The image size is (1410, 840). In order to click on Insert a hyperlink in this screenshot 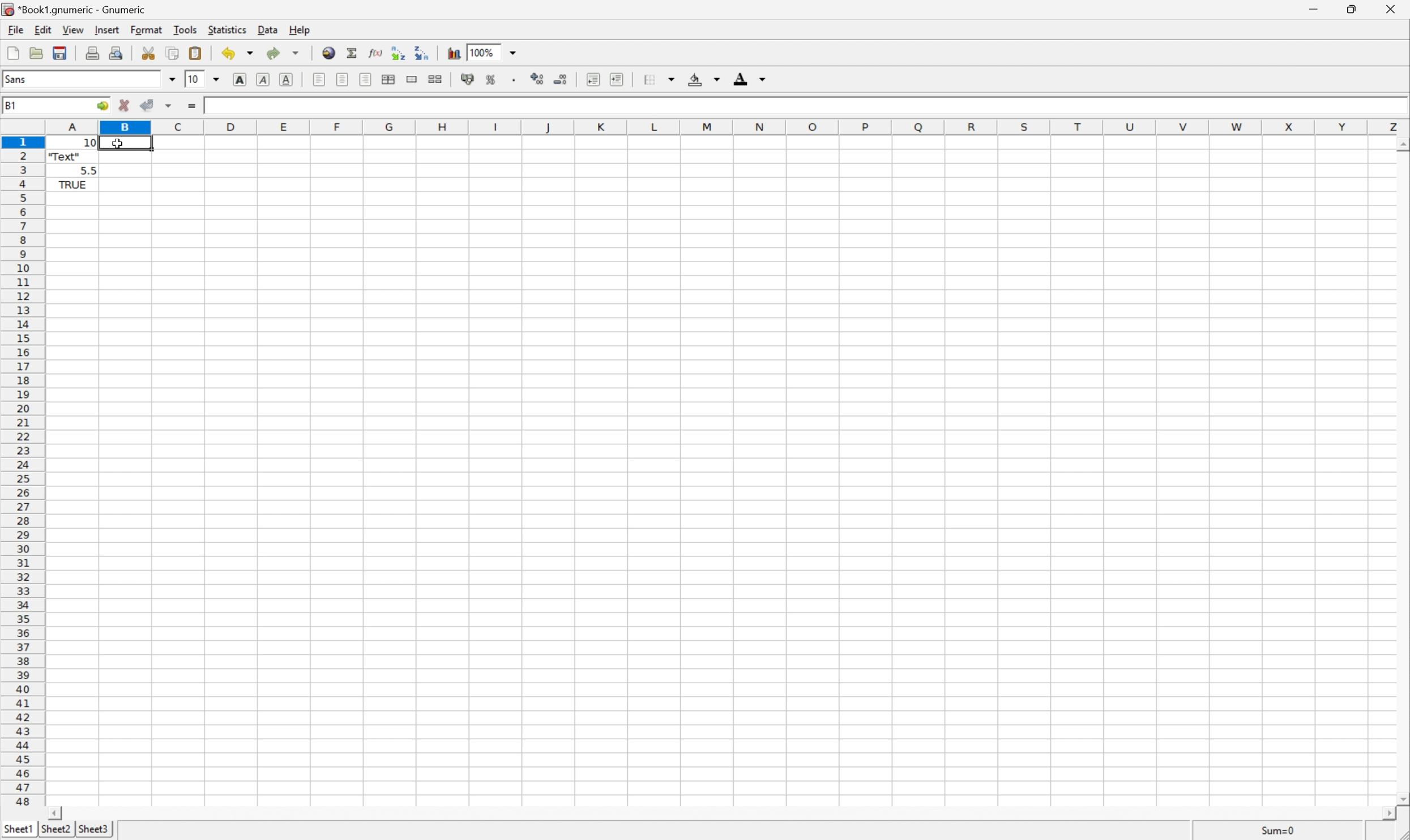, I will do `click(327, 53)`.